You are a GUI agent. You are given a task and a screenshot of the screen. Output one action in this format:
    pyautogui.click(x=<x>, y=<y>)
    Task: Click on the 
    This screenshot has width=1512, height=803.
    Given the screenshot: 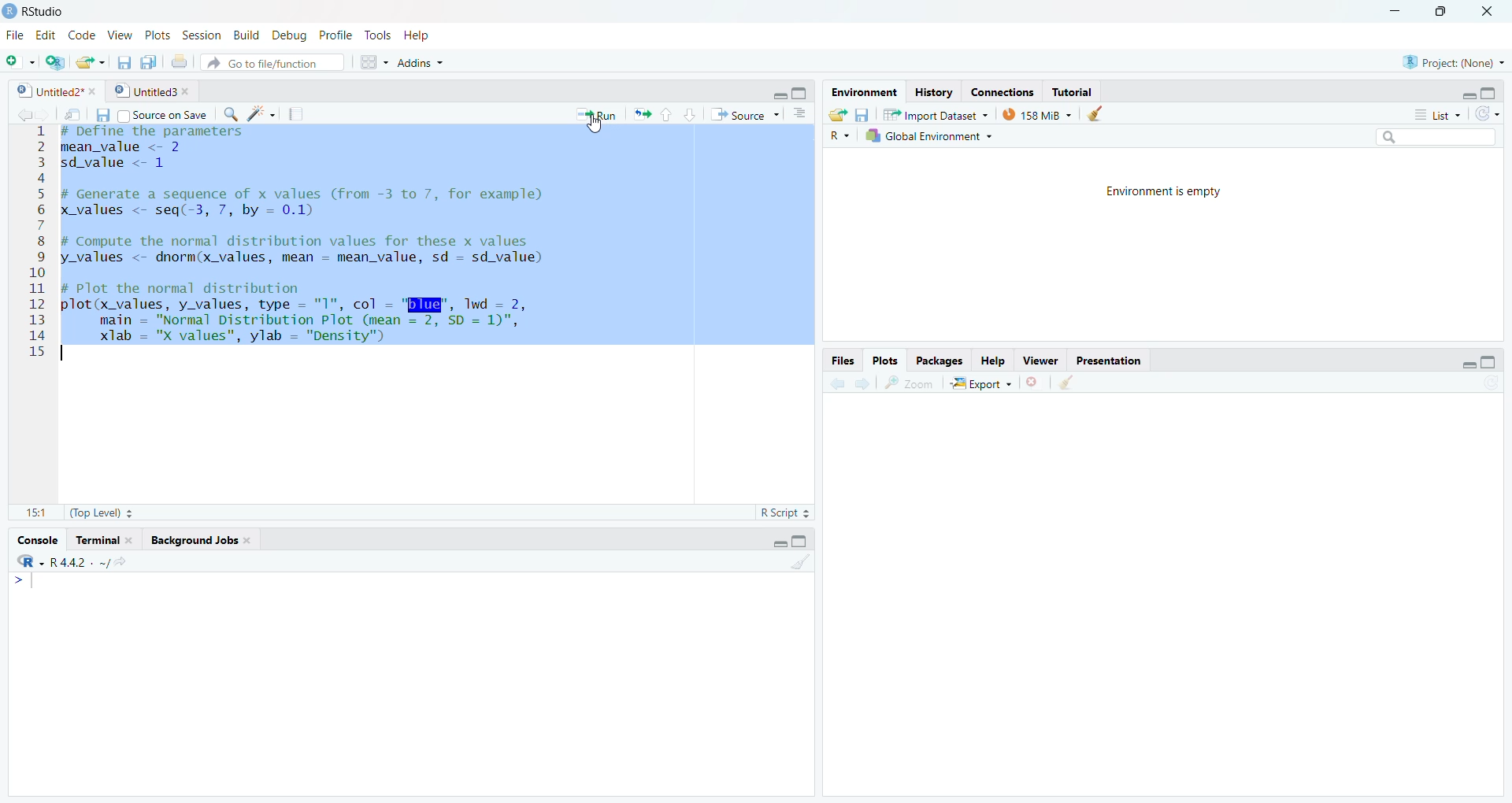 What is the action you would take?
    pyautogui.click(x=835, y=113)
    